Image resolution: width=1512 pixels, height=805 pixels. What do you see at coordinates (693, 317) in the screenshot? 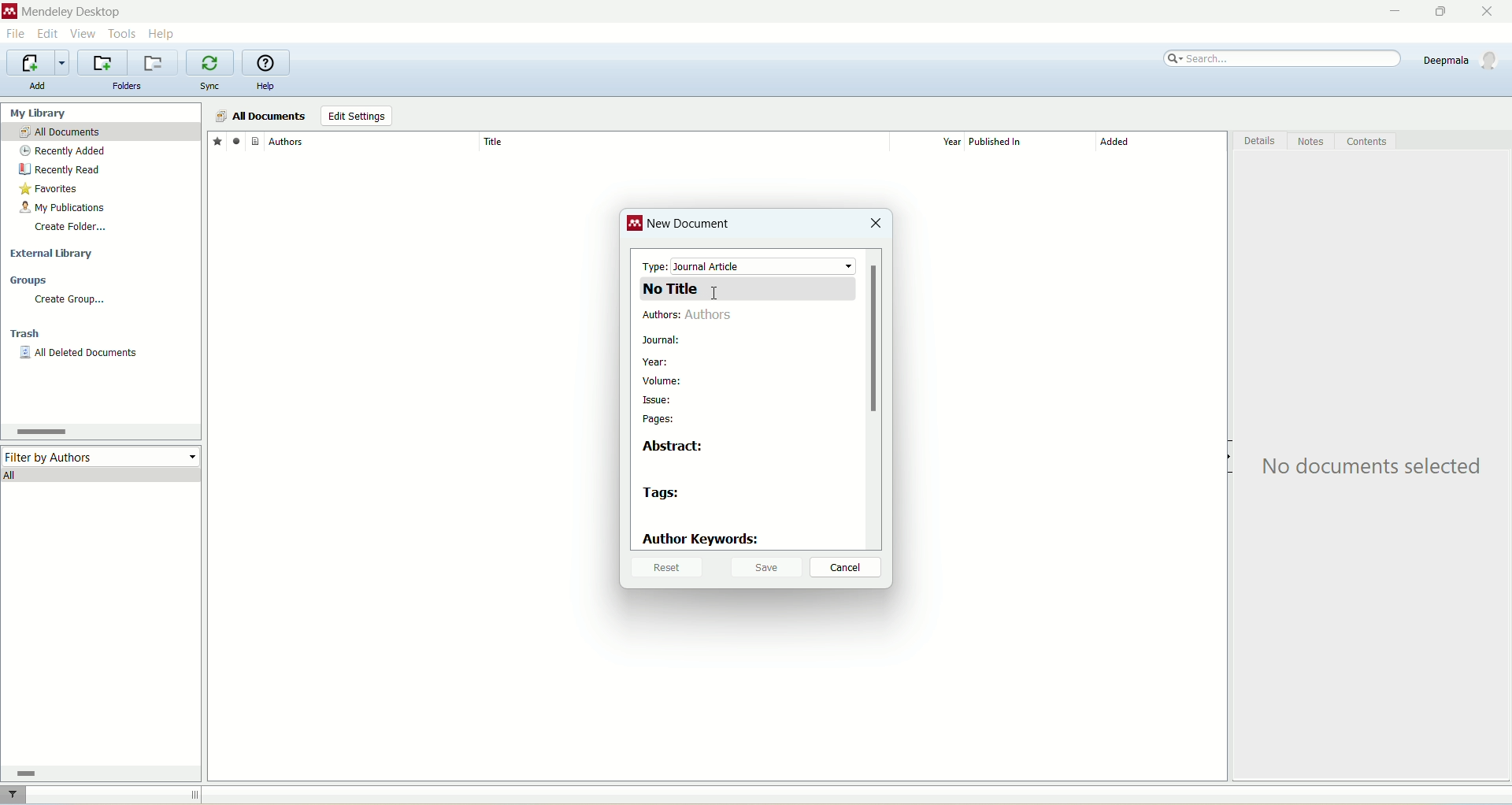
I see `authors` at bounding box center [693, 317].